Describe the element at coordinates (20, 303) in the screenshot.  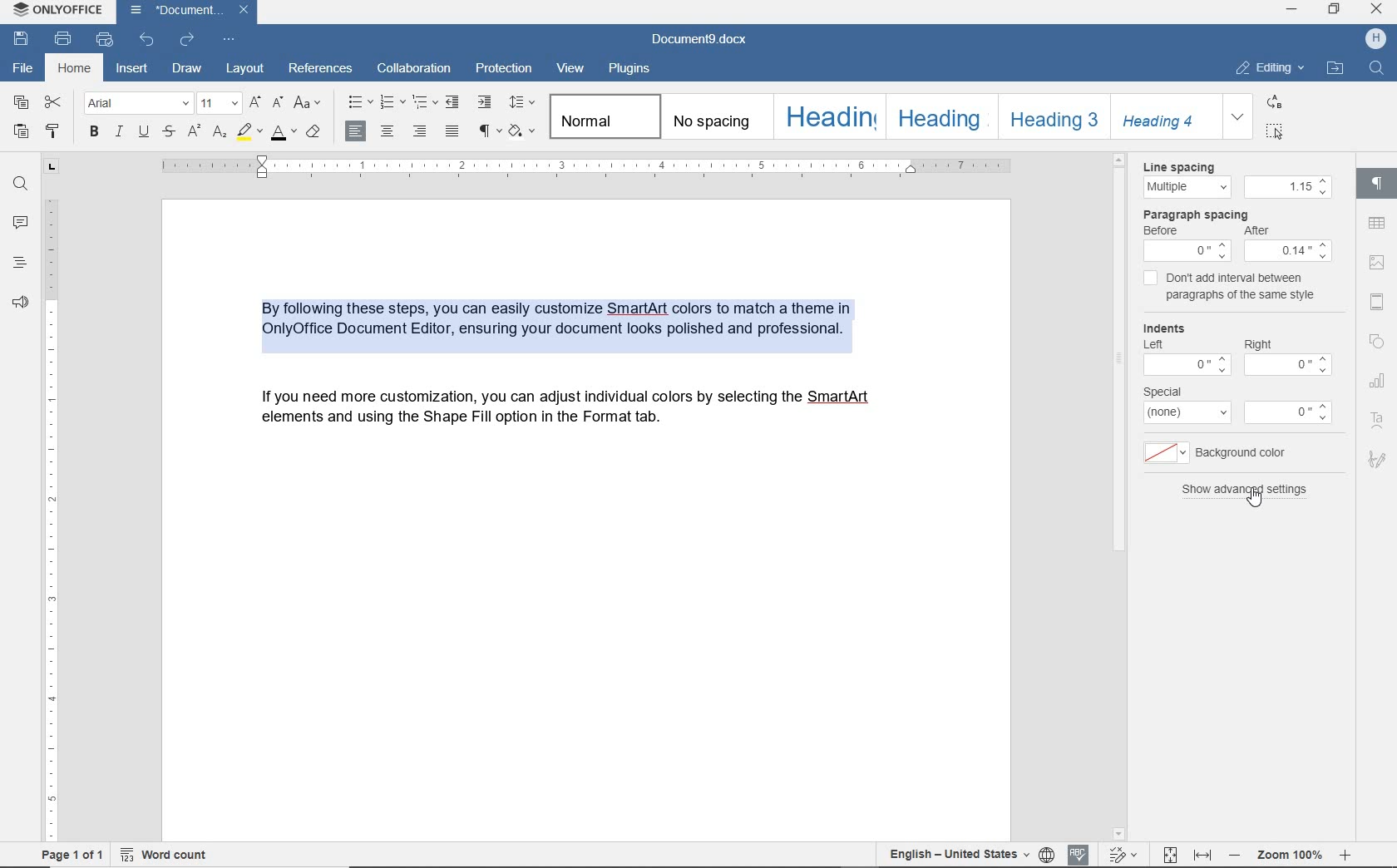
I see `feedback & support` at that location.